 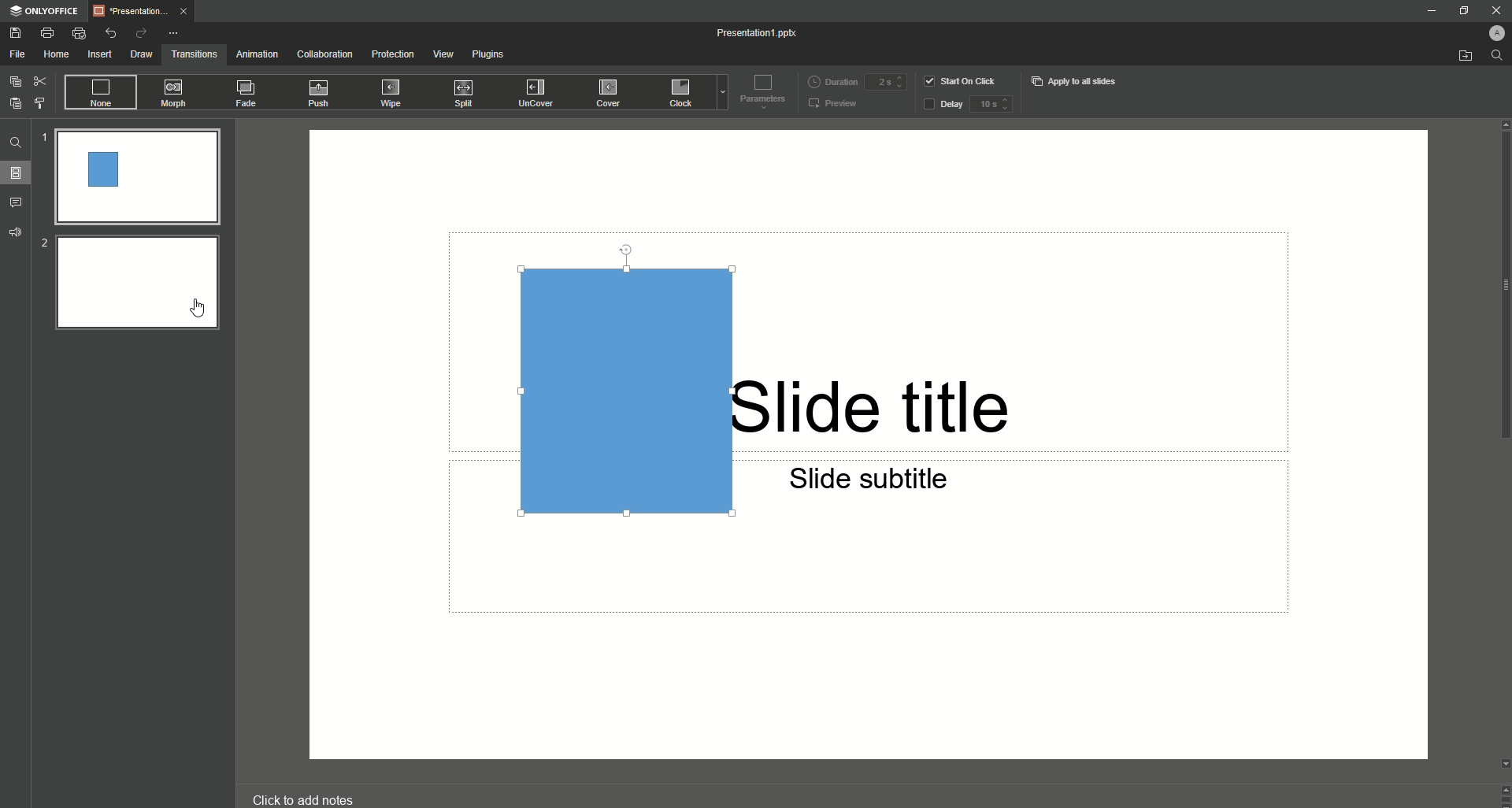 What do you see at coordinates (318, 92) in the screenshot?
I see `Push` at bounding box center [318, 92].